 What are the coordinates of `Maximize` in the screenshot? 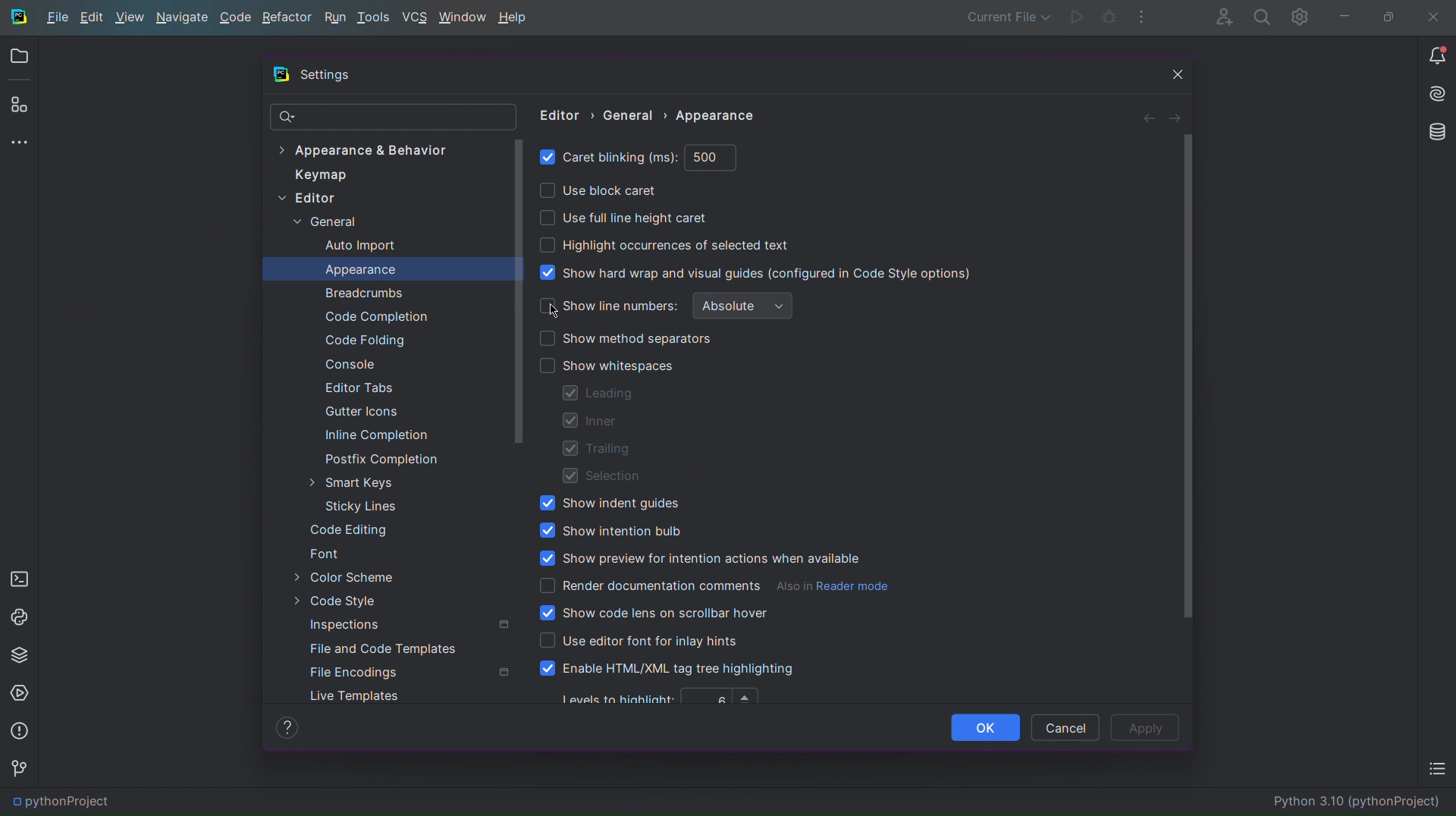 It's located at (1386, 16).